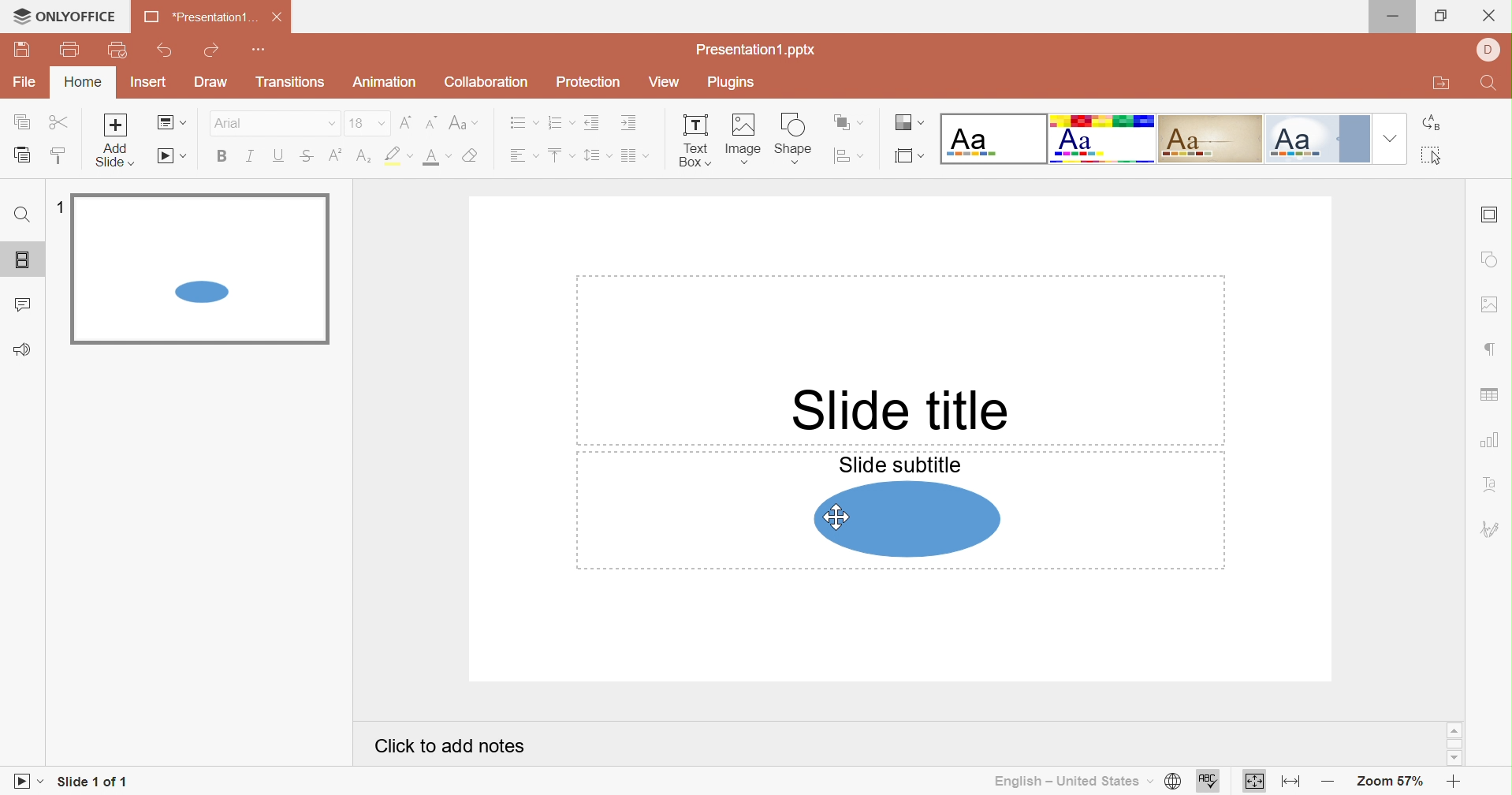 The height and width of the screenshot is (795, 1512). What do you see at coordinates (61, 208) in the screenshot?
I see `1` at bounding box center [61, 208].